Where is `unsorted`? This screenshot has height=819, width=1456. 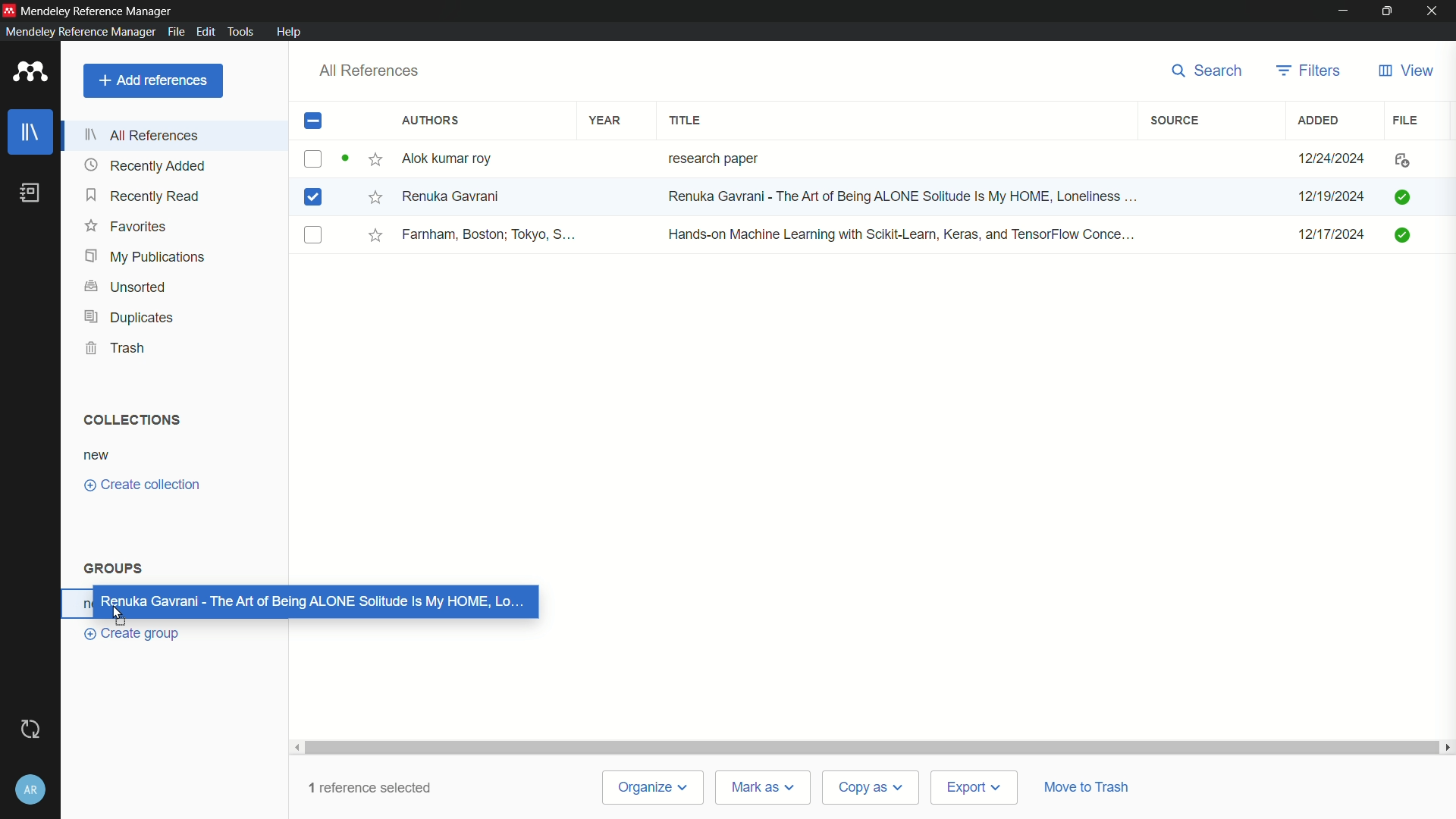 unsorted is located at coordinates (126, 285).